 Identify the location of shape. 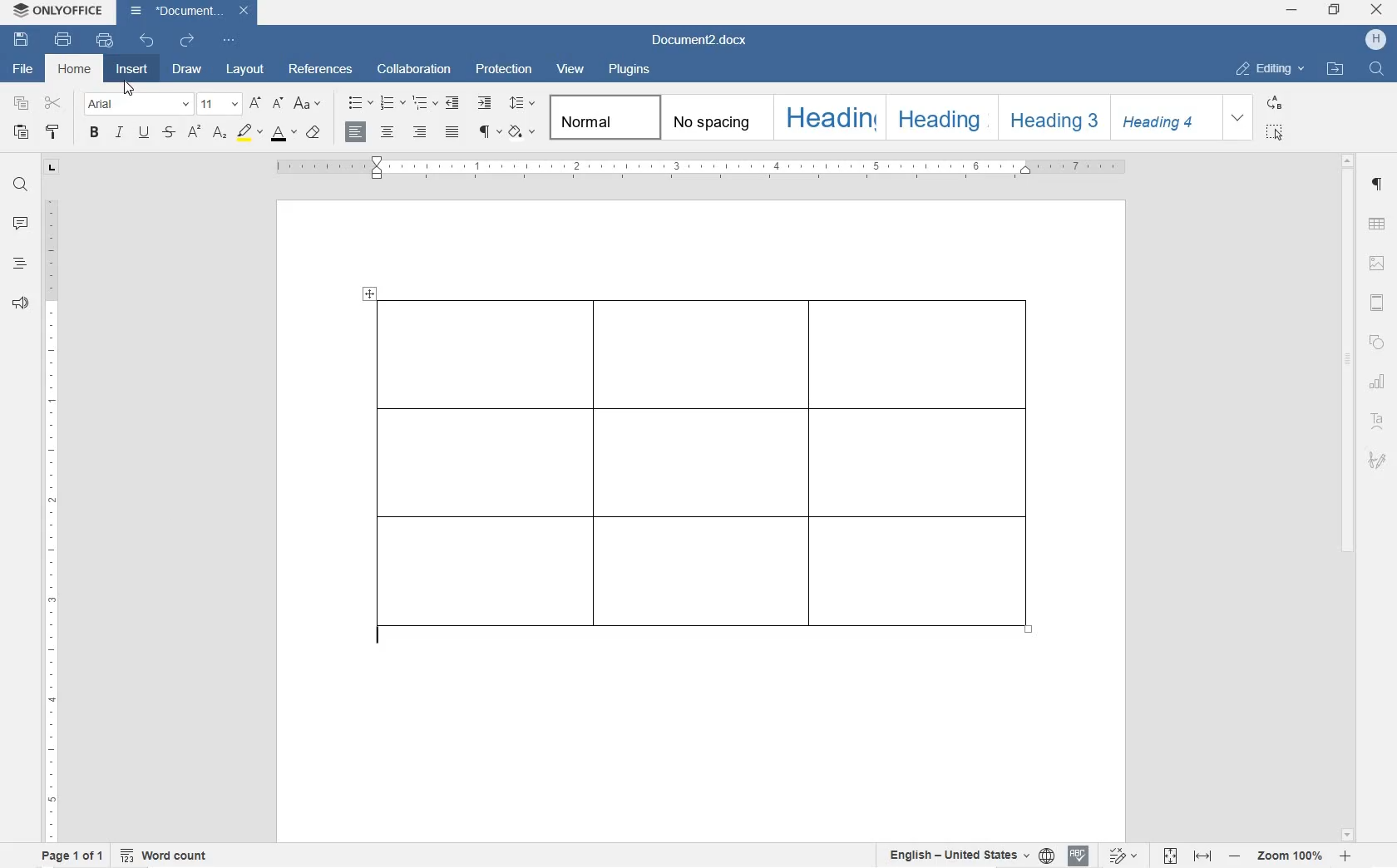
(1377, 342).